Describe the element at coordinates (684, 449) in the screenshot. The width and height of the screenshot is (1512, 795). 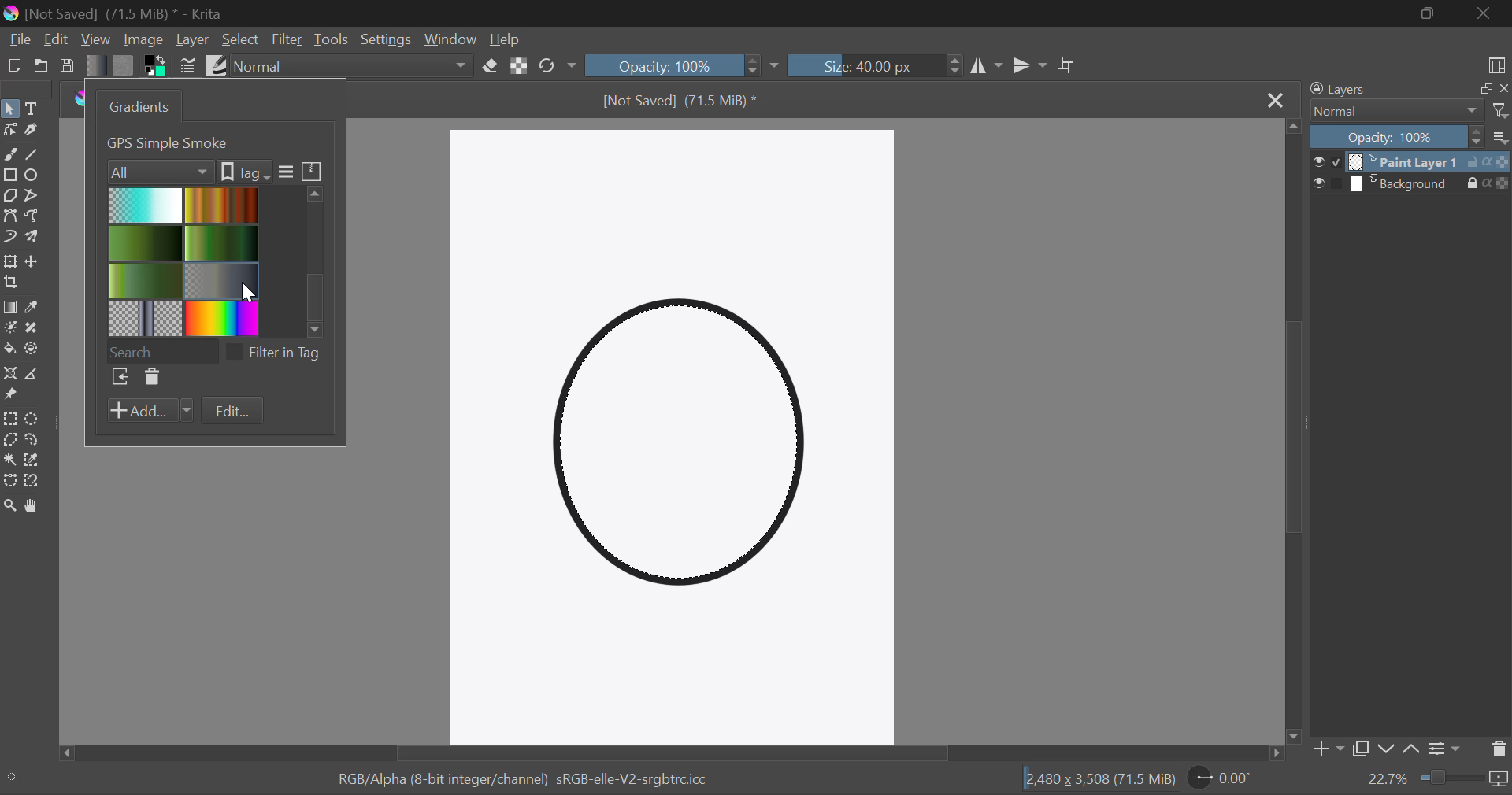
I see `Shape Selected` at that location.